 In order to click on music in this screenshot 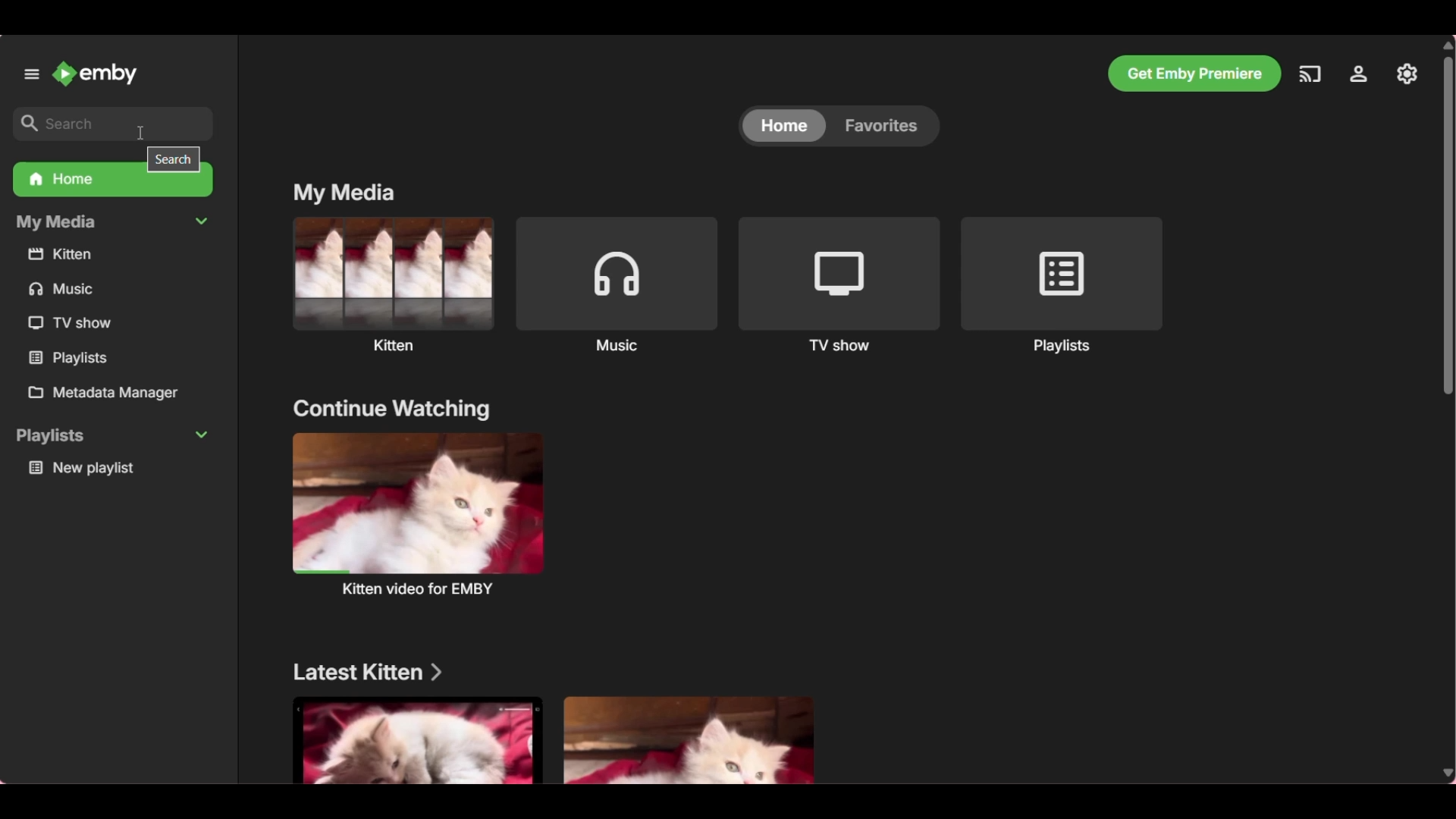, I will do `click(74, 288)`.